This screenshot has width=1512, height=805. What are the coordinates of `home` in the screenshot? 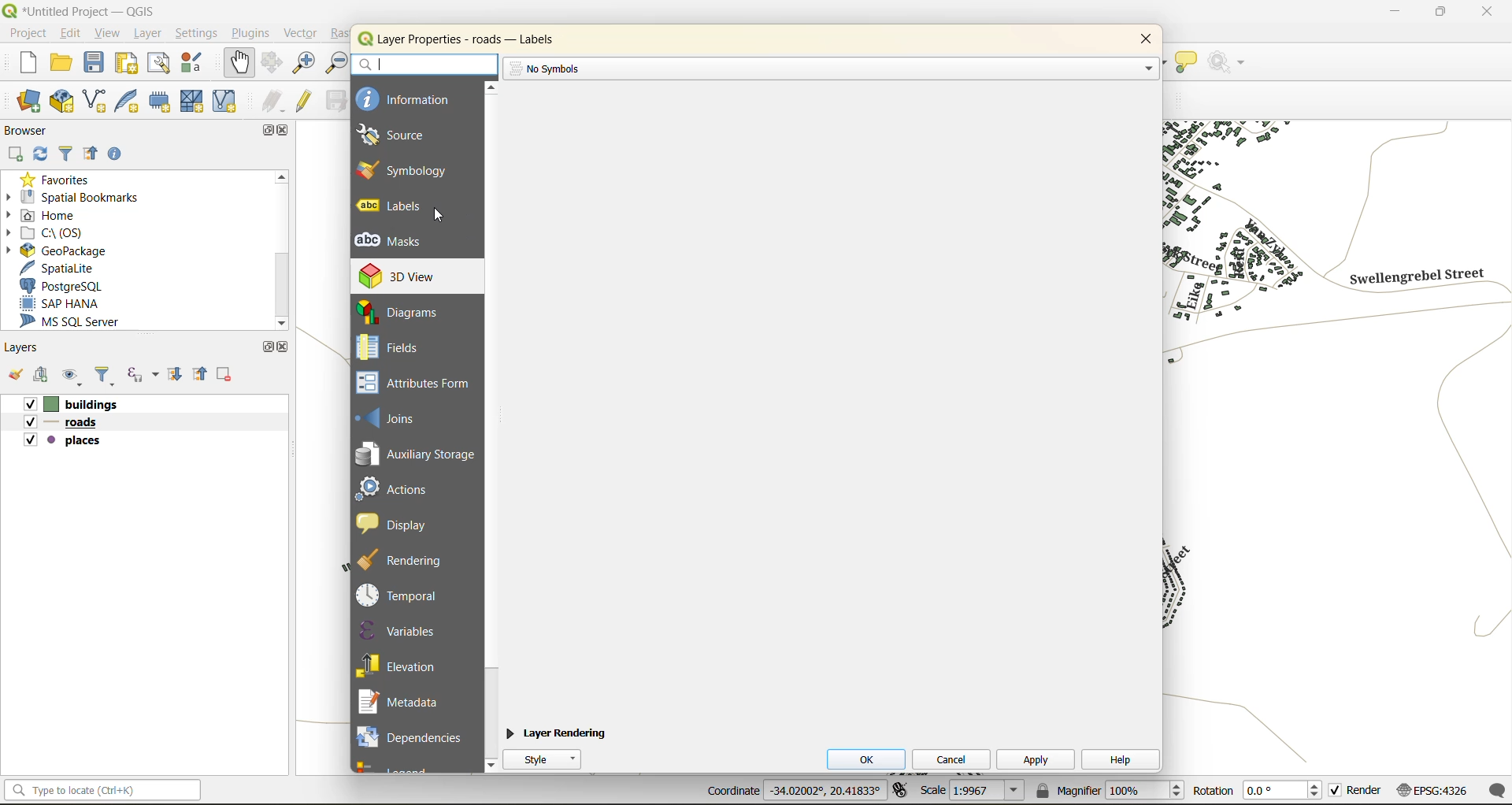 It's located at (50, 215).